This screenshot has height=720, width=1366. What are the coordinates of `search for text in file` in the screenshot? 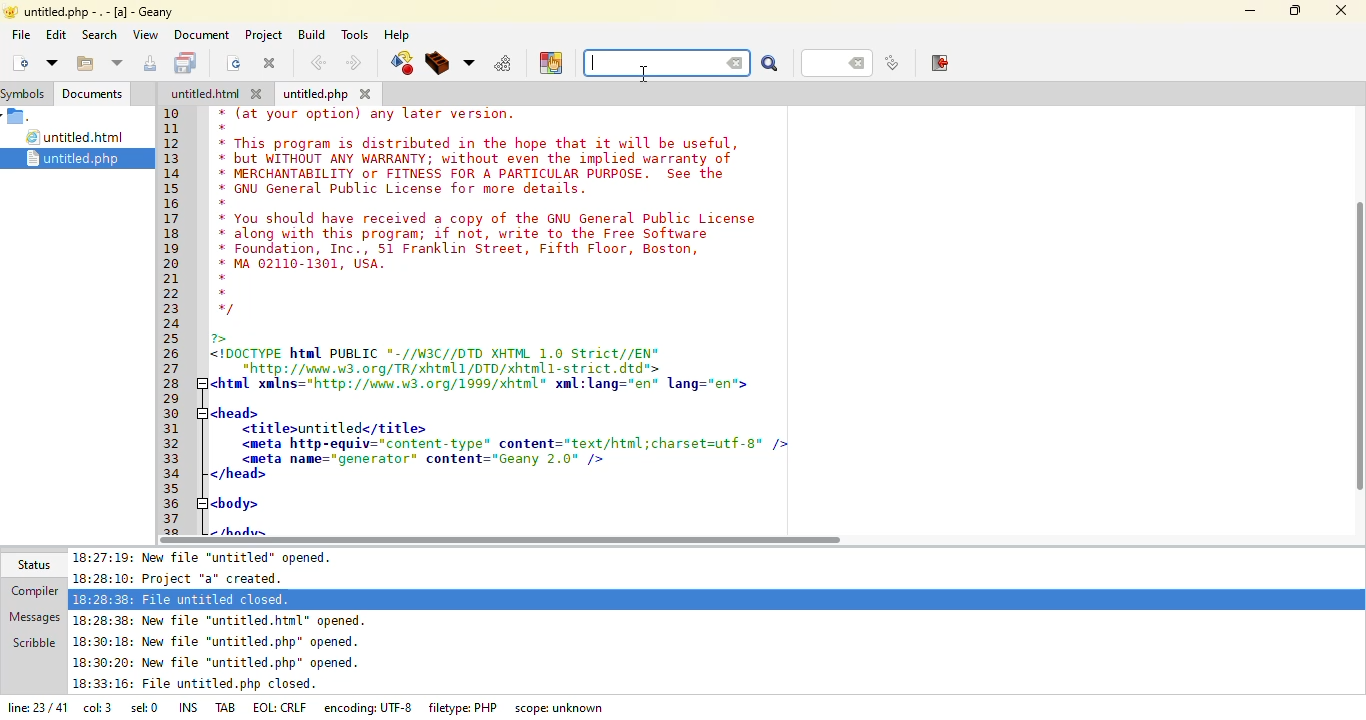 It's located at (656, 63).